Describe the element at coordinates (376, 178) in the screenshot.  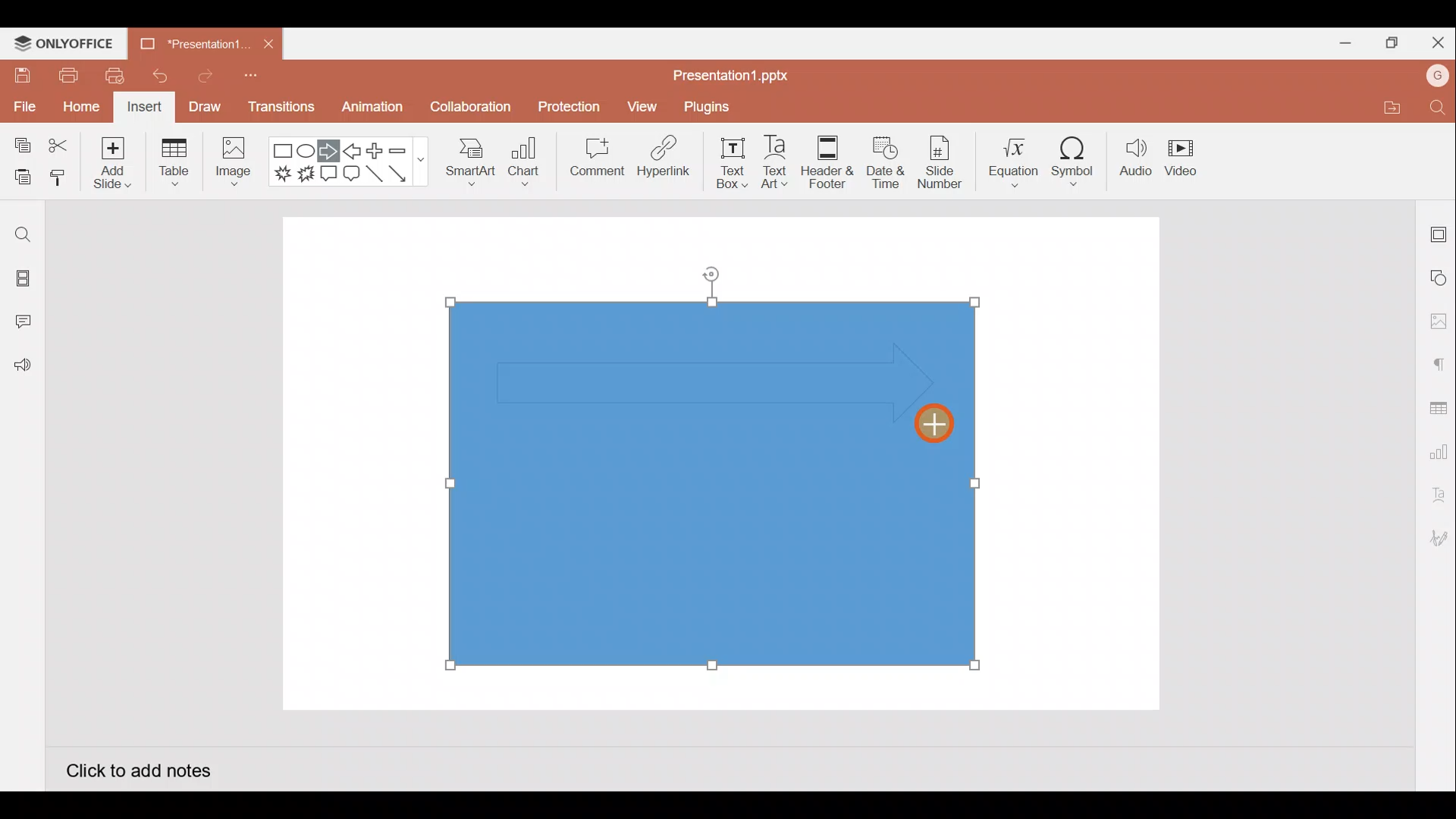
I see `Line` at that location.